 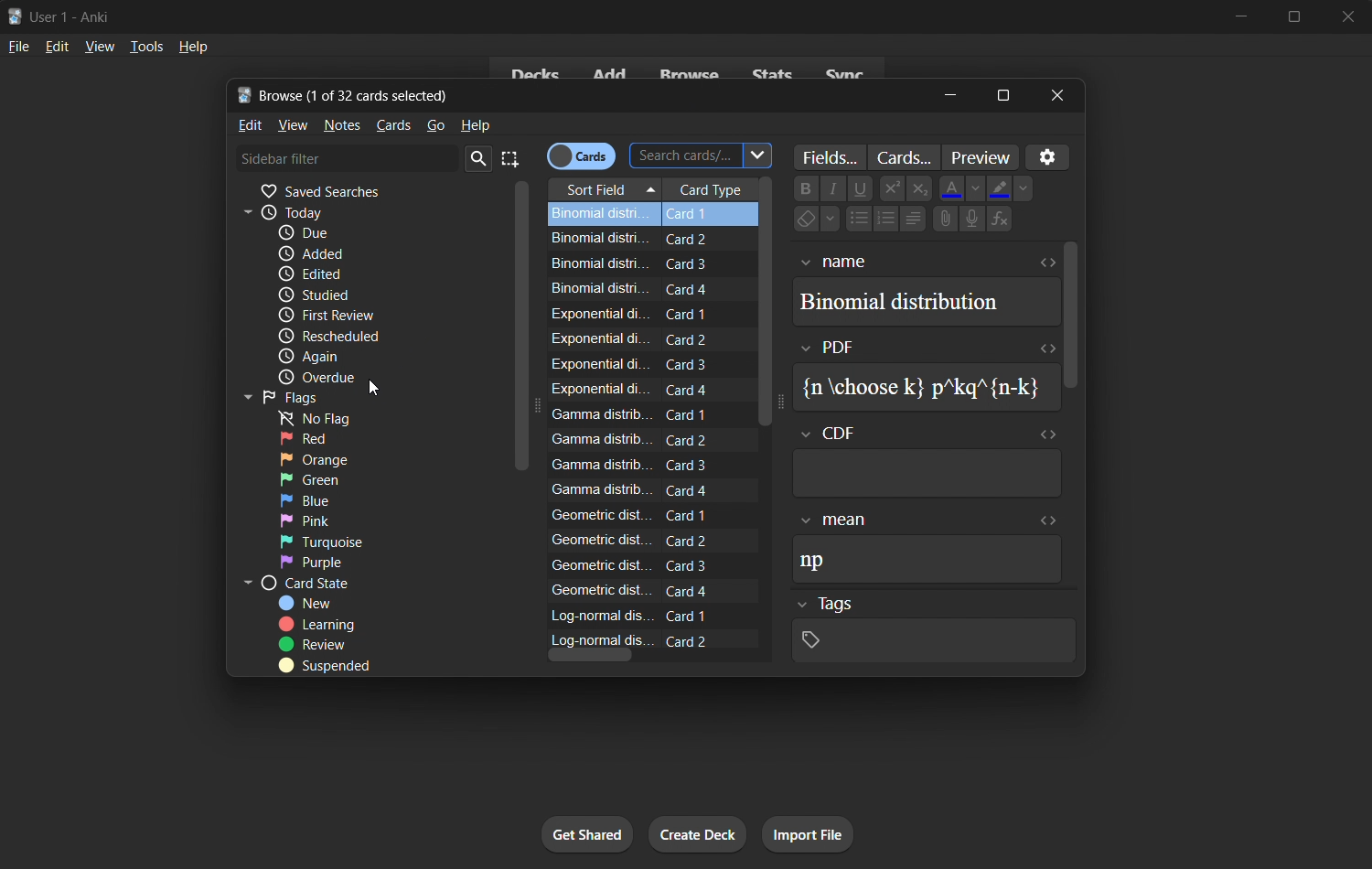 I want to click on Tags, so click(x=890, y=605).